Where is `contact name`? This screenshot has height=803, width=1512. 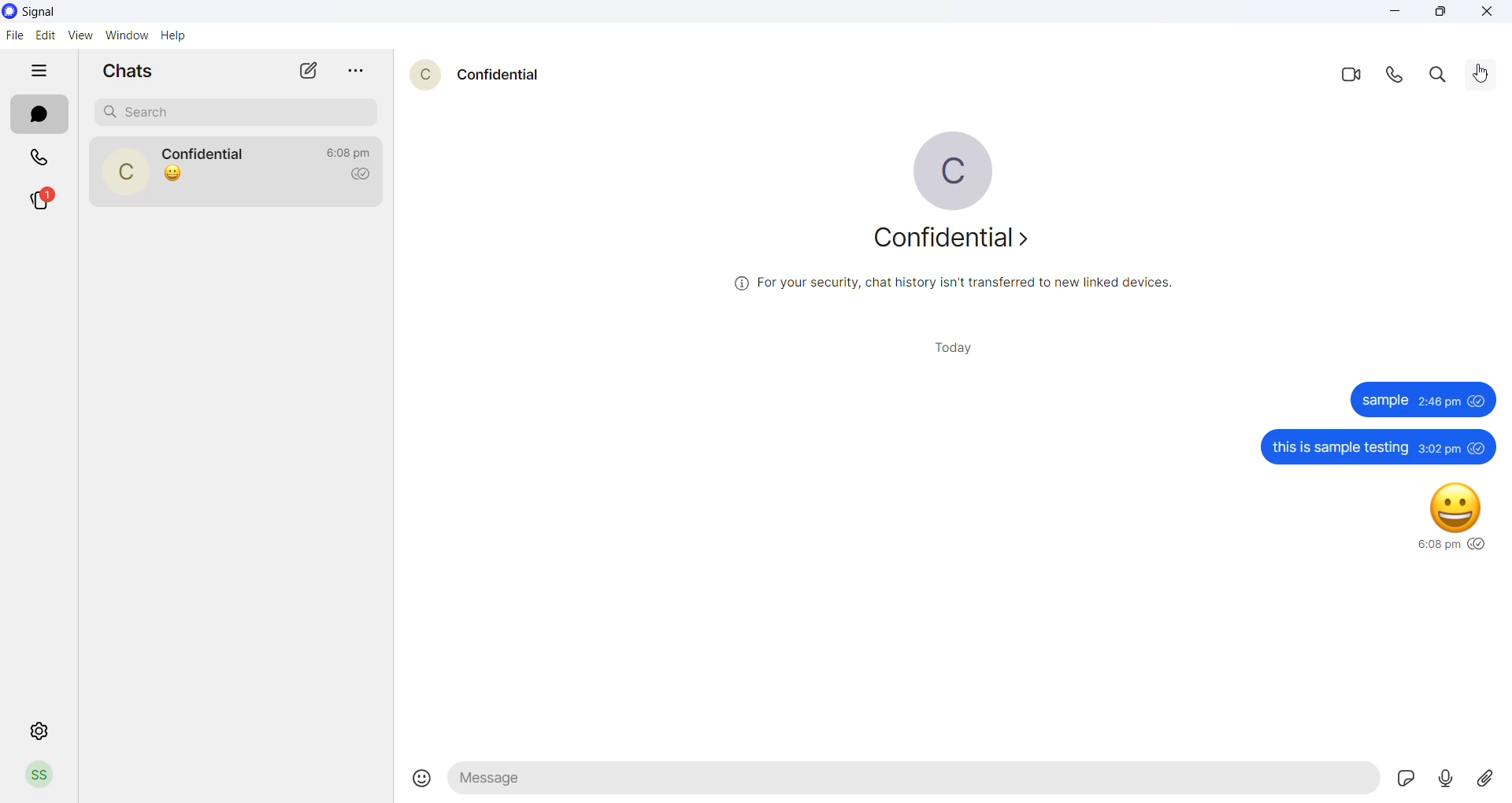 contact name is located at coordinates (499, 74).